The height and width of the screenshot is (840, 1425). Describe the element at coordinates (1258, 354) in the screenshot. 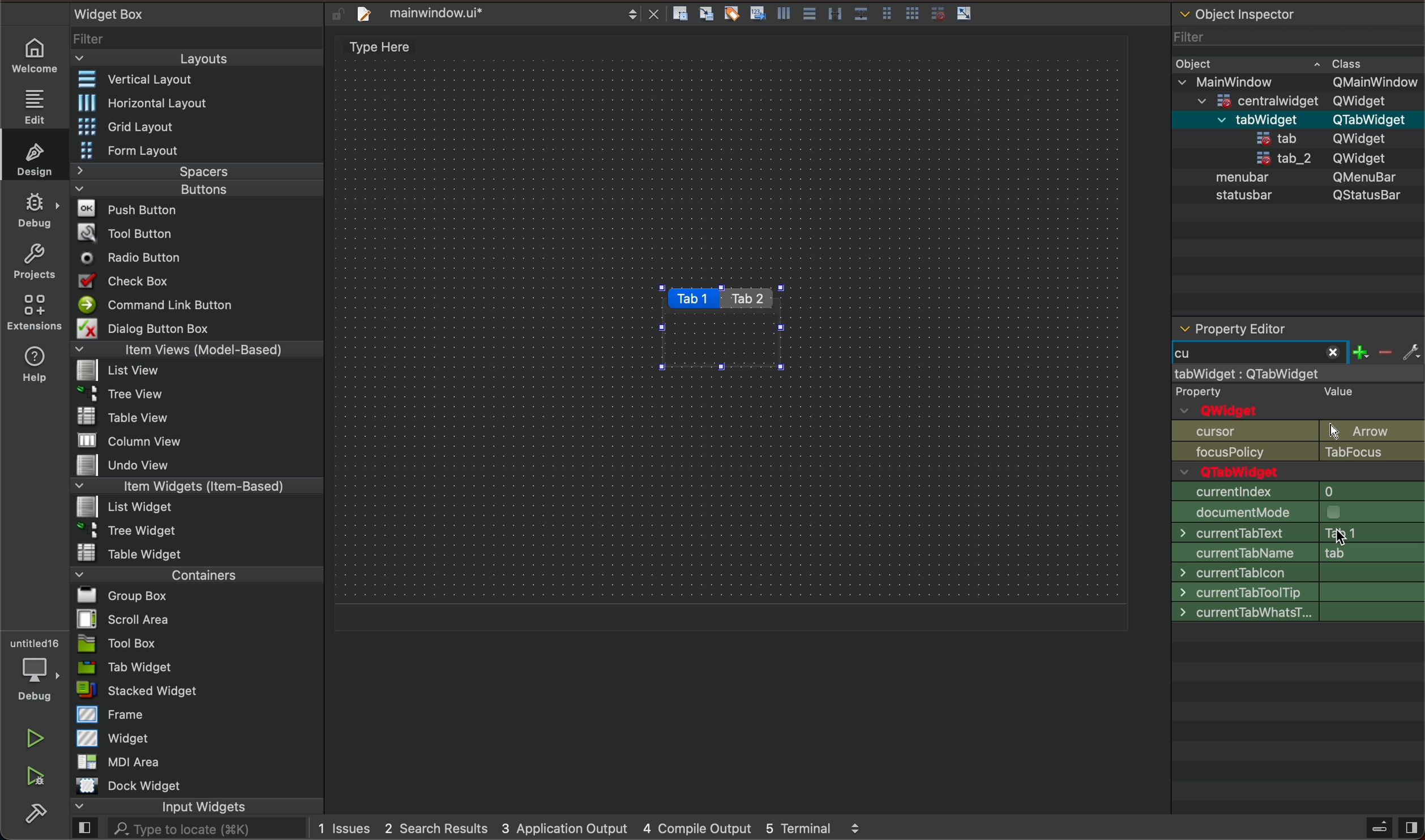

I see `typed cu` at that location.